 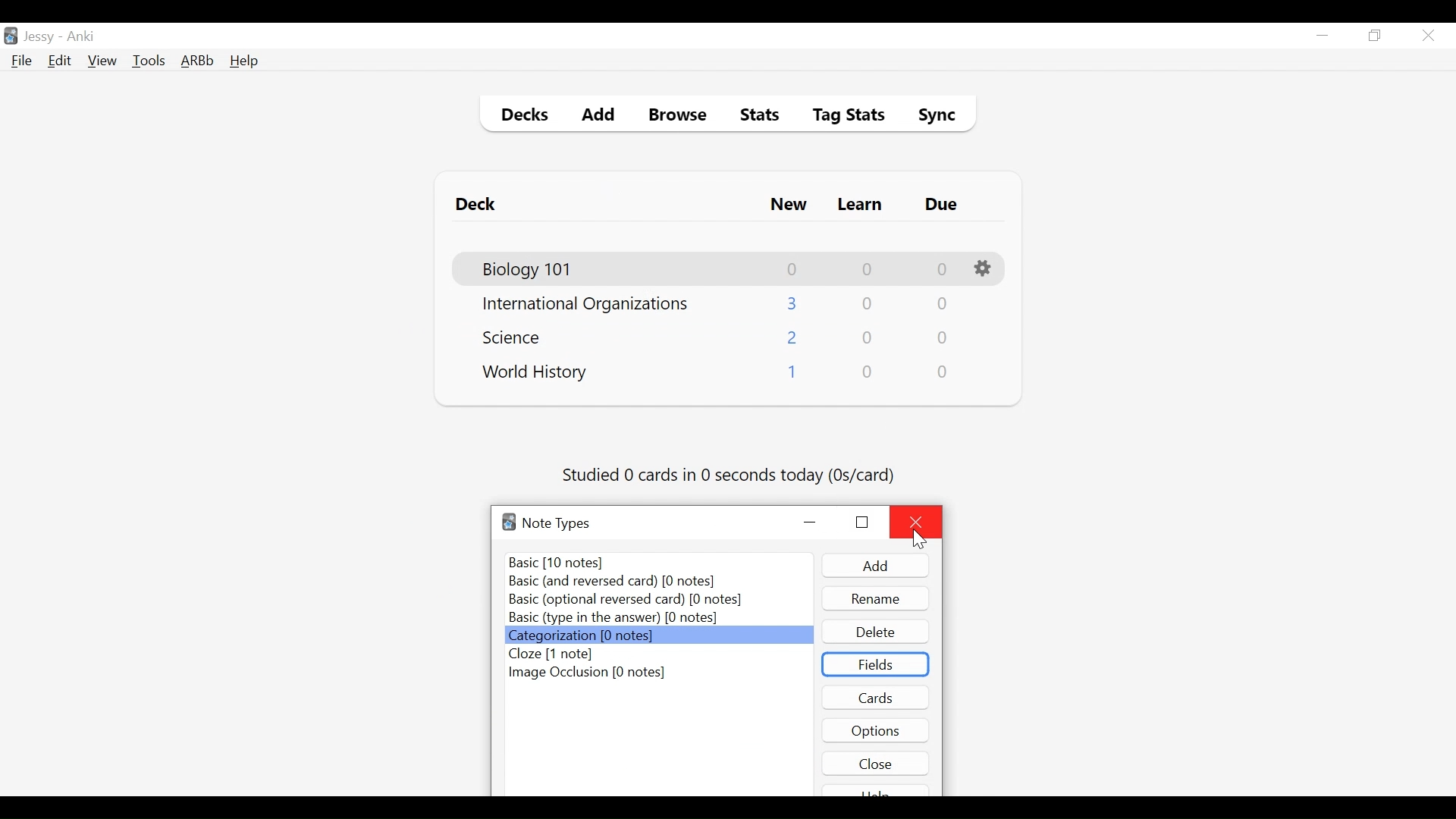 What do you see at coordinates (943, 205) in the screenshot?
I see `Due` at bounding box center [943, 205].